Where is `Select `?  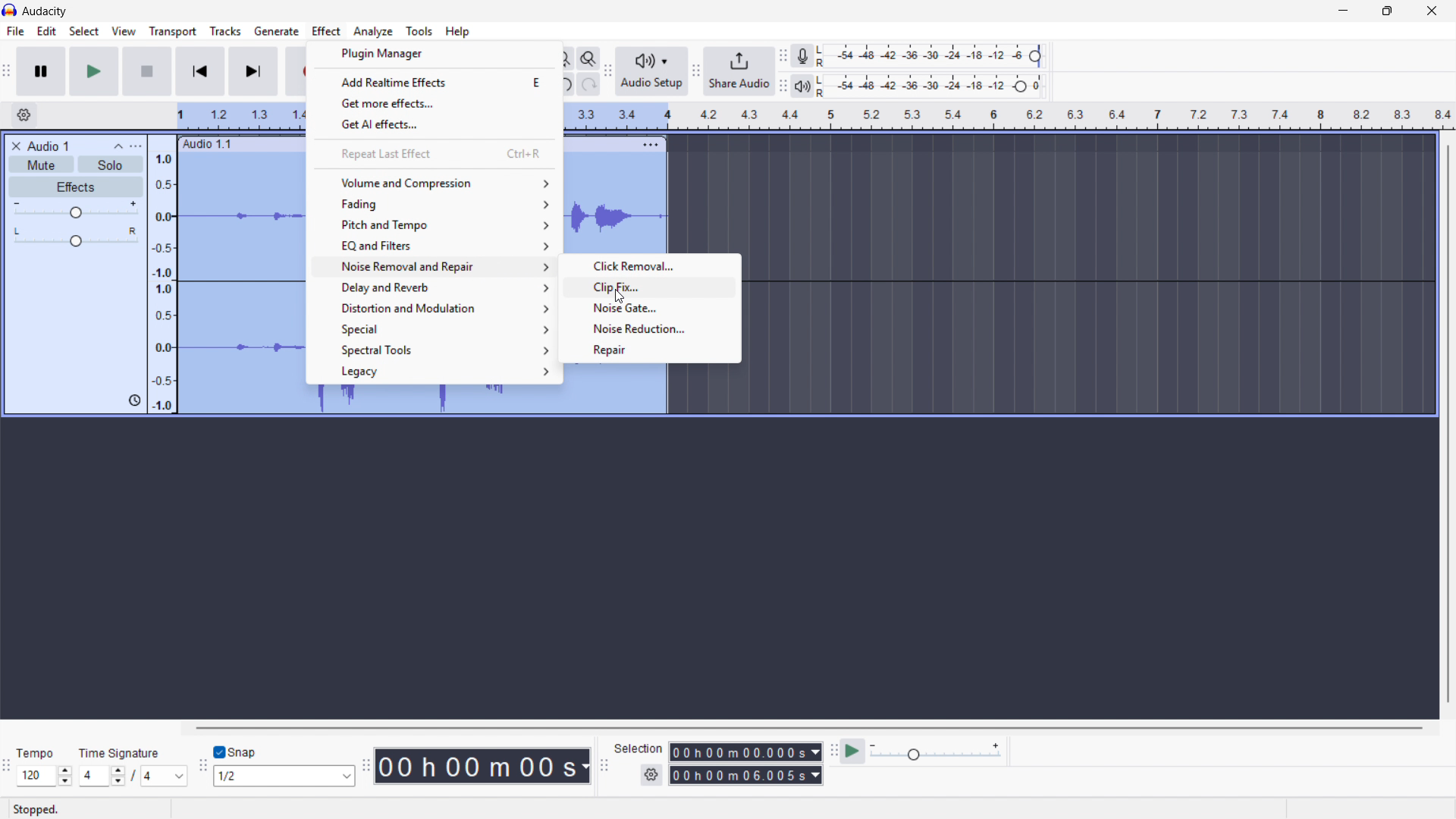 Select  is located at coordinates (83, 32).